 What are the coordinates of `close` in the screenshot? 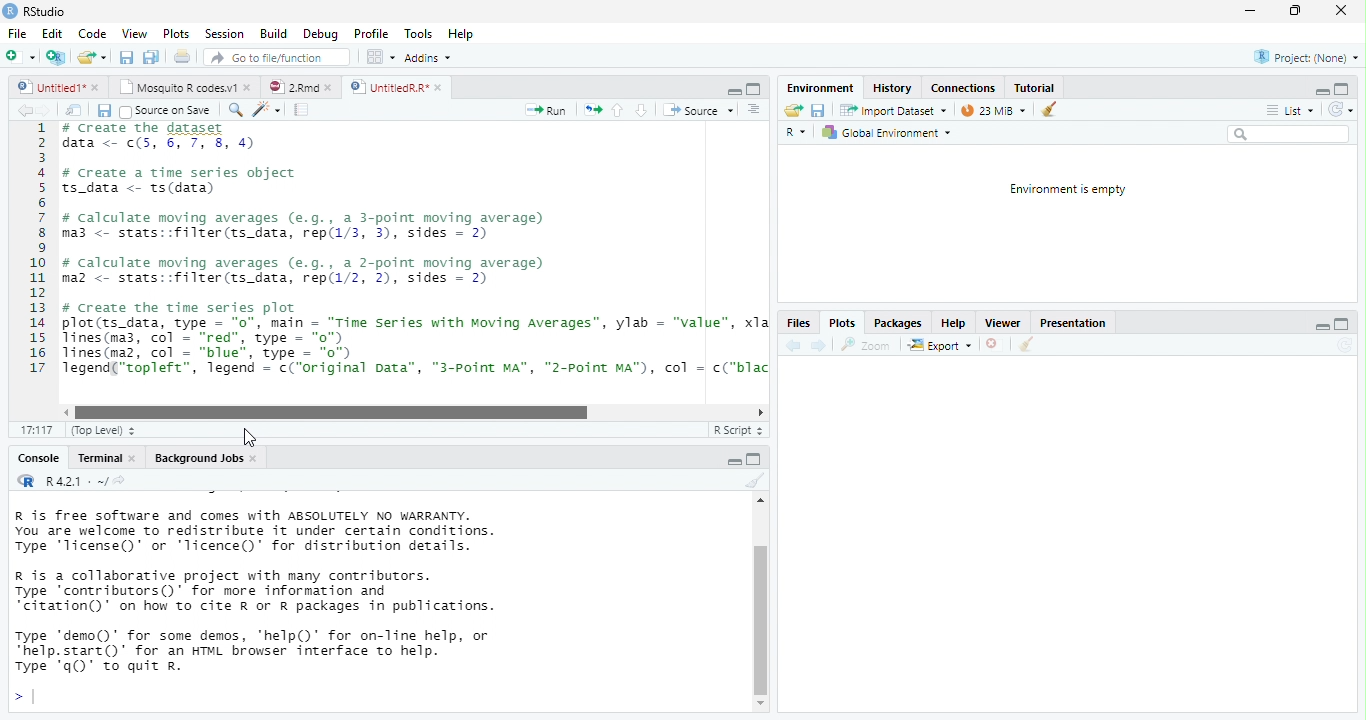 It's located at (97, 88).